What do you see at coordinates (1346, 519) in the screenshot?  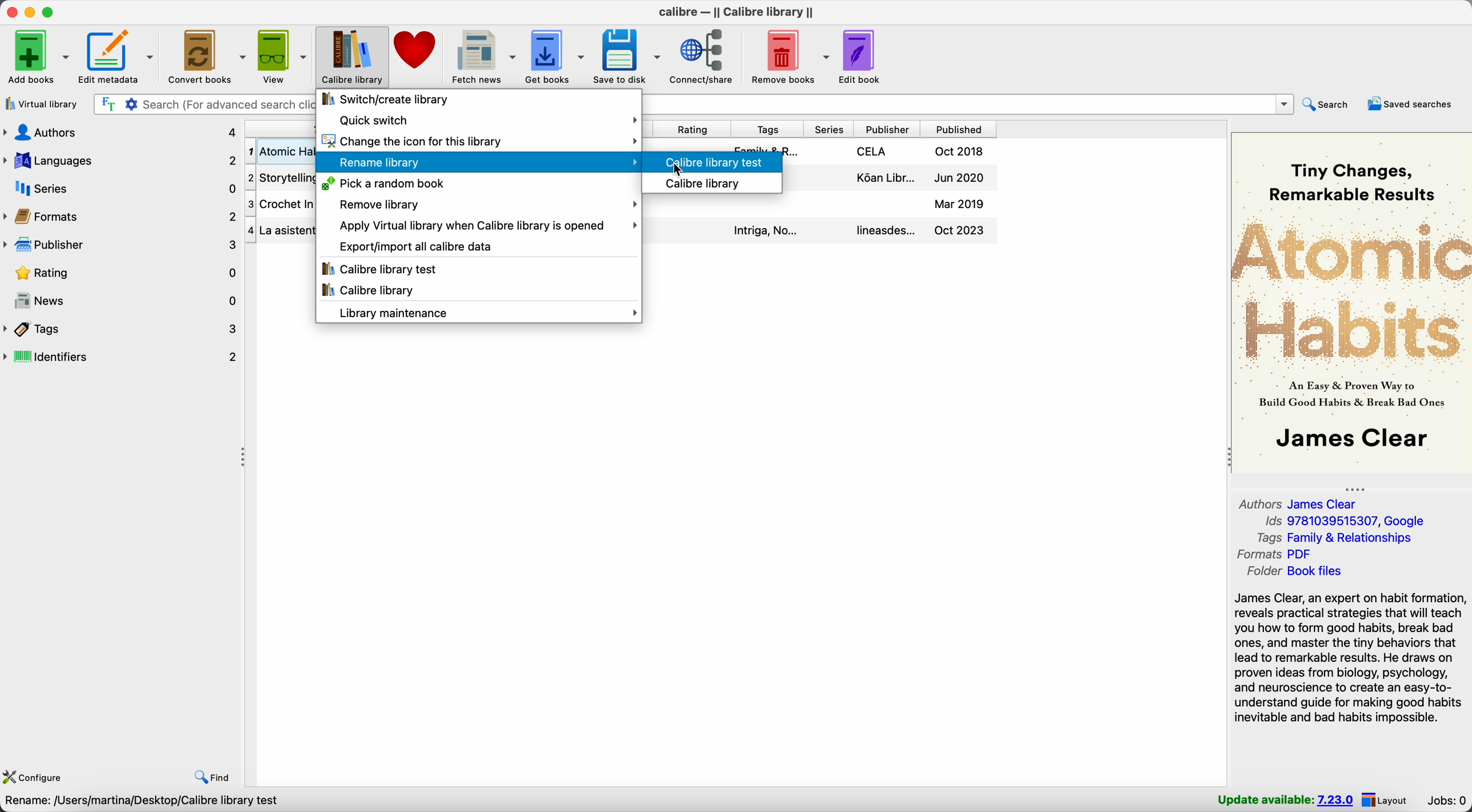 I see `Ids 9781039515307, Google` at bounding box center [1346, 519].